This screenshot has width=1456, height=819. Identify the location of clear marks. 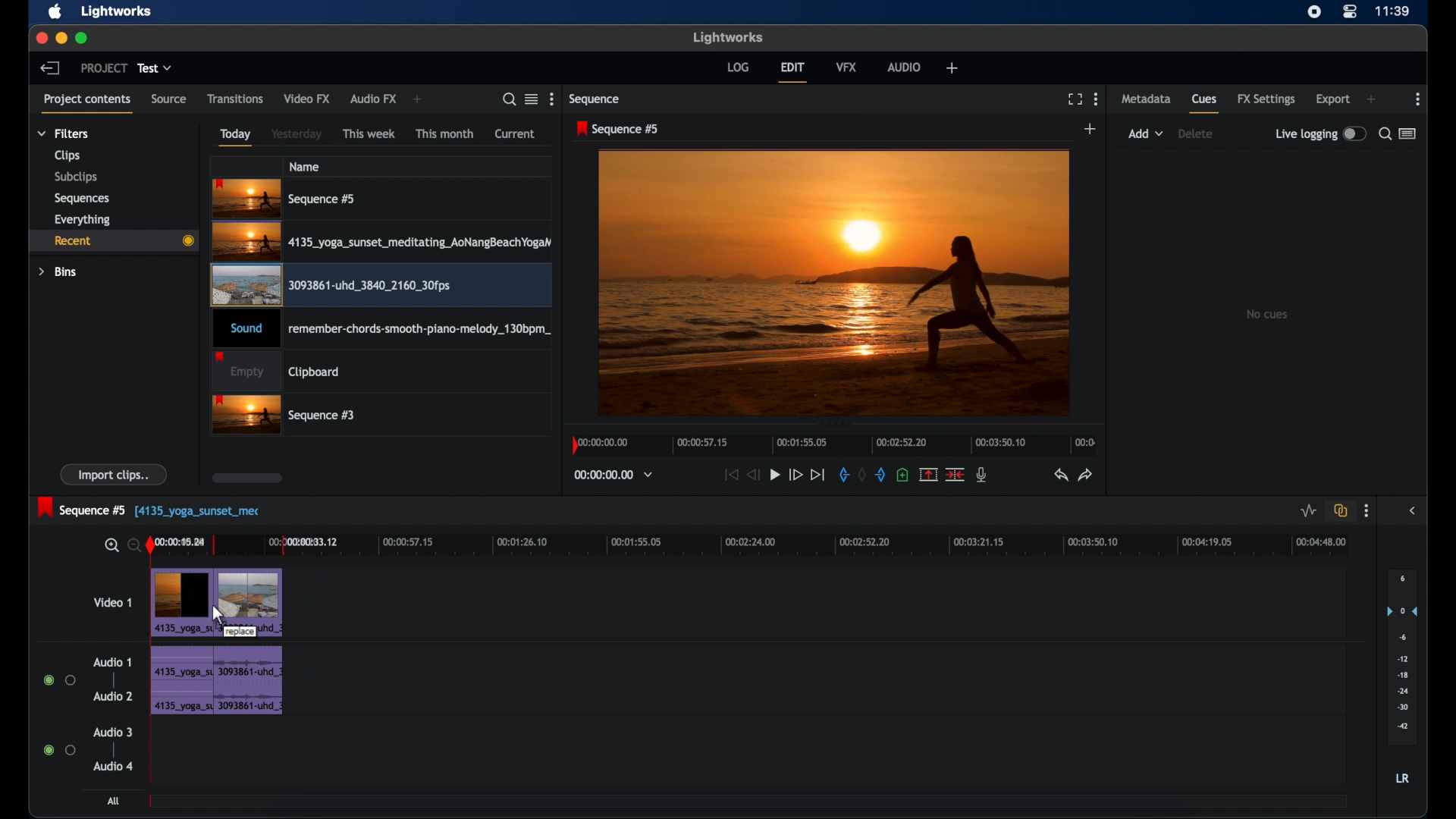
(861, 474).